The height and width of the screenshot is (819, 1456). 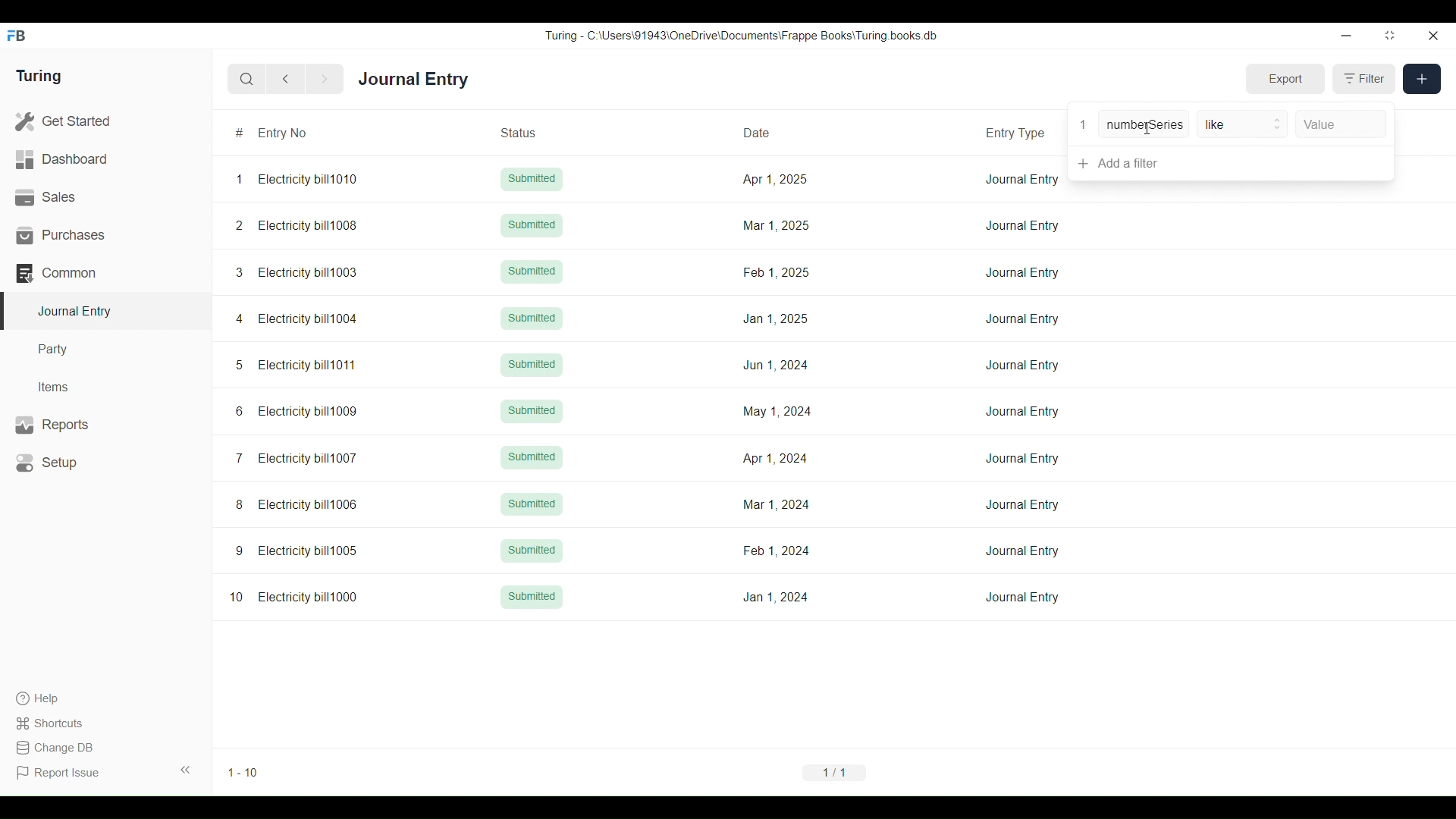 What do you see at coordinates (1021, 598) in the screenshot?
I see `Journal Entry` at bounding box center [1021, 598].